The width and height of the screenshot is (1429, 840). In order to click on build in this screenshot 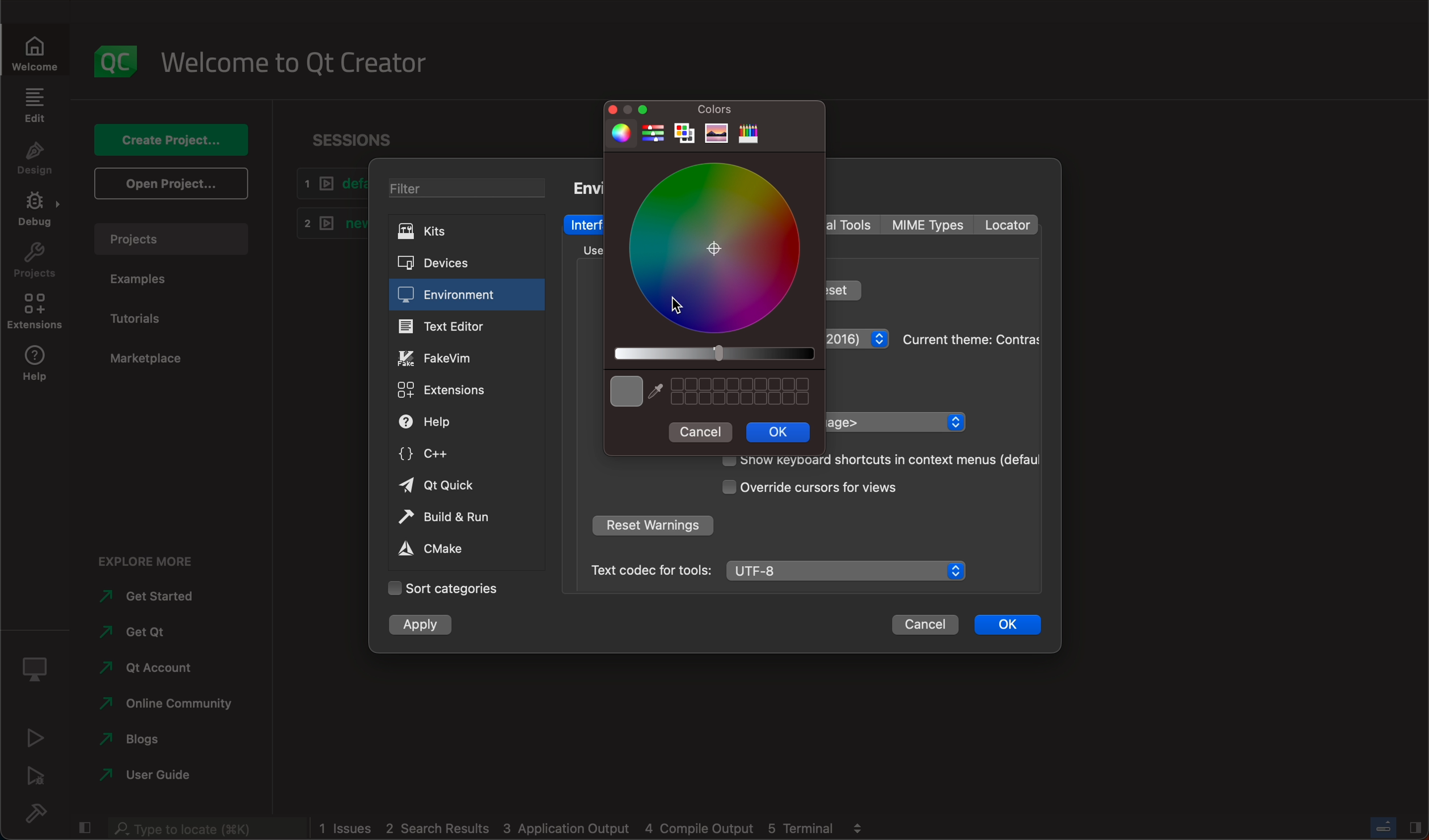, I will do `click(43, 813)`.